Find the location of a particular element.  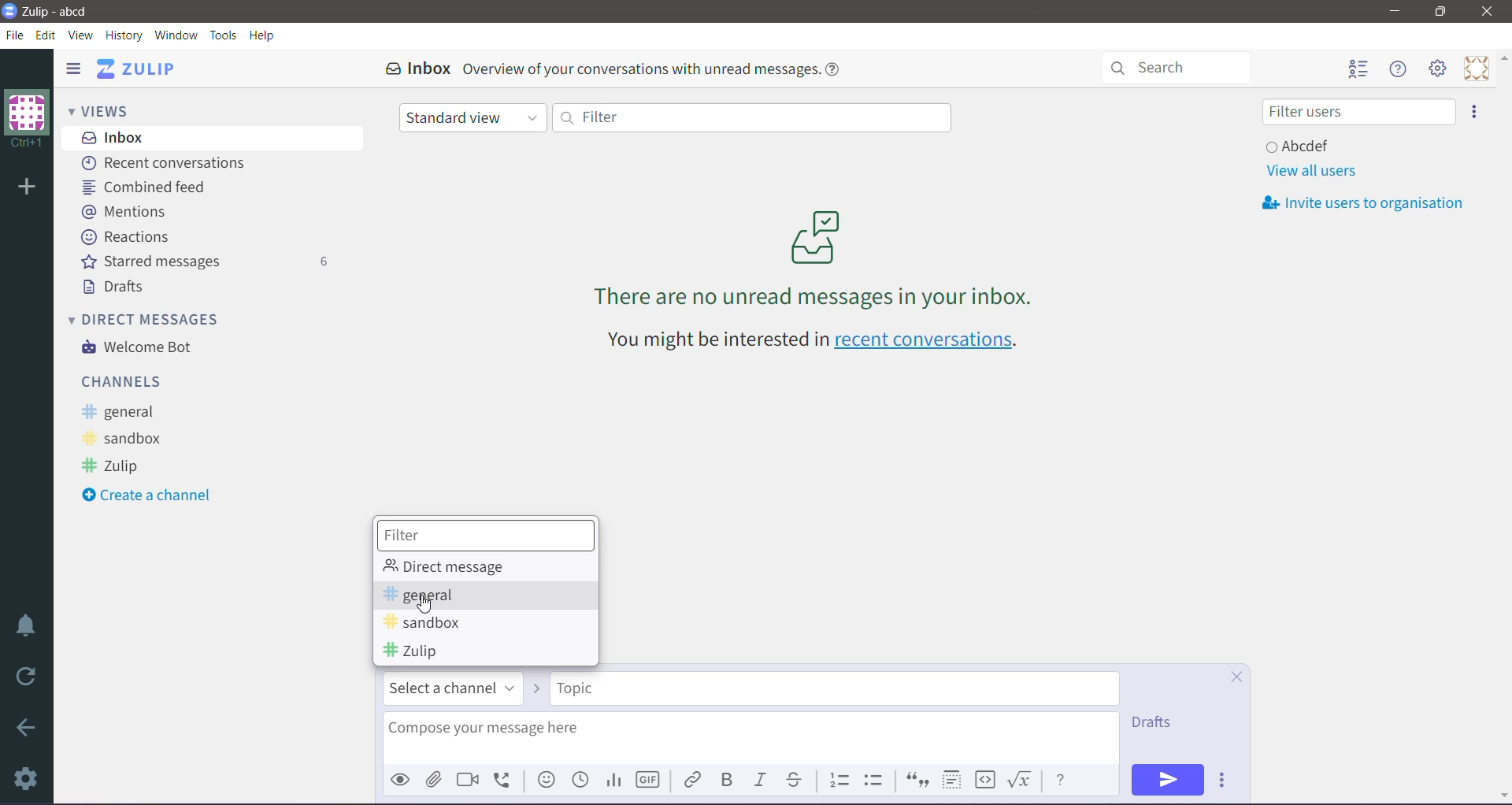

Filter is located at coordinates (750, 117).